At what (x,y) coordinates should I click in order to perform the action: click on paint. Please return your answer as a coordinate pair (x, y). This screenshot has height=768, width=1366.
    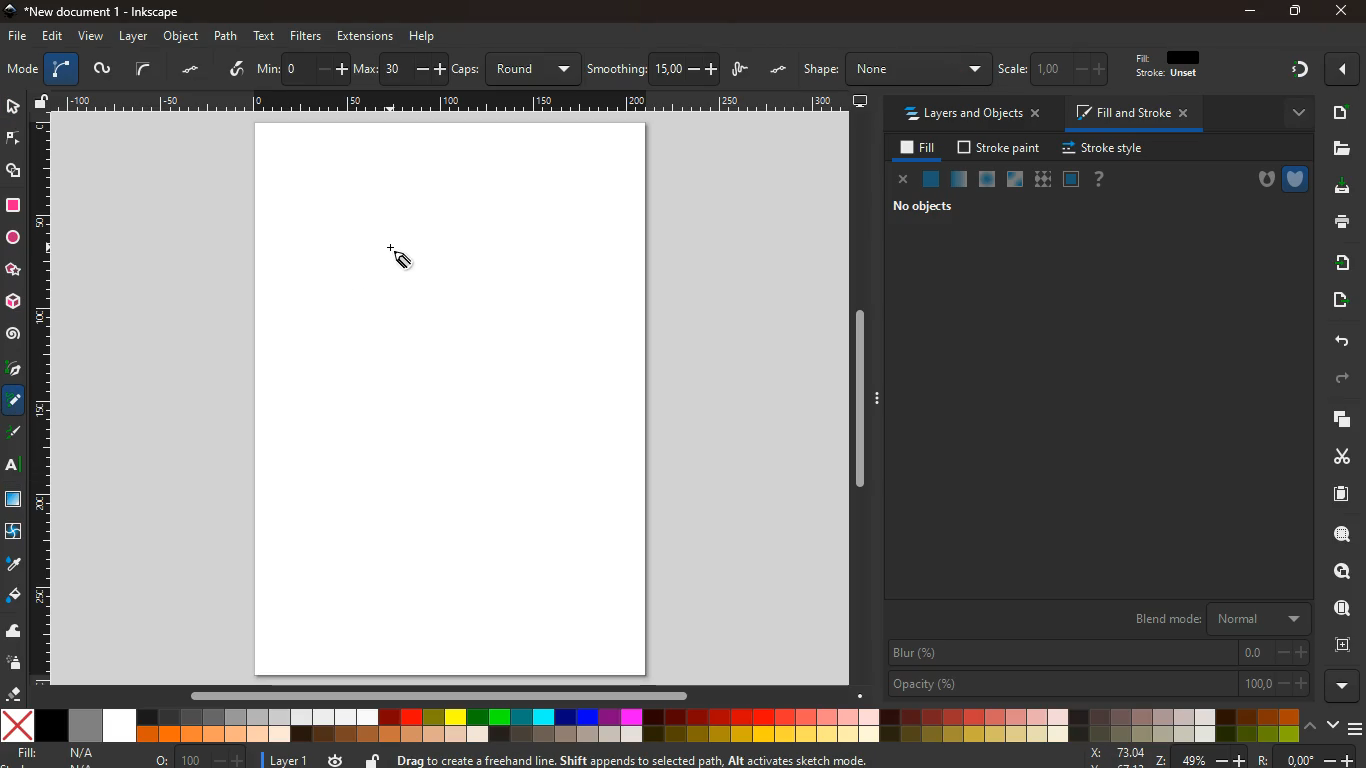
    Looking at the image, I should click on (15, 596).